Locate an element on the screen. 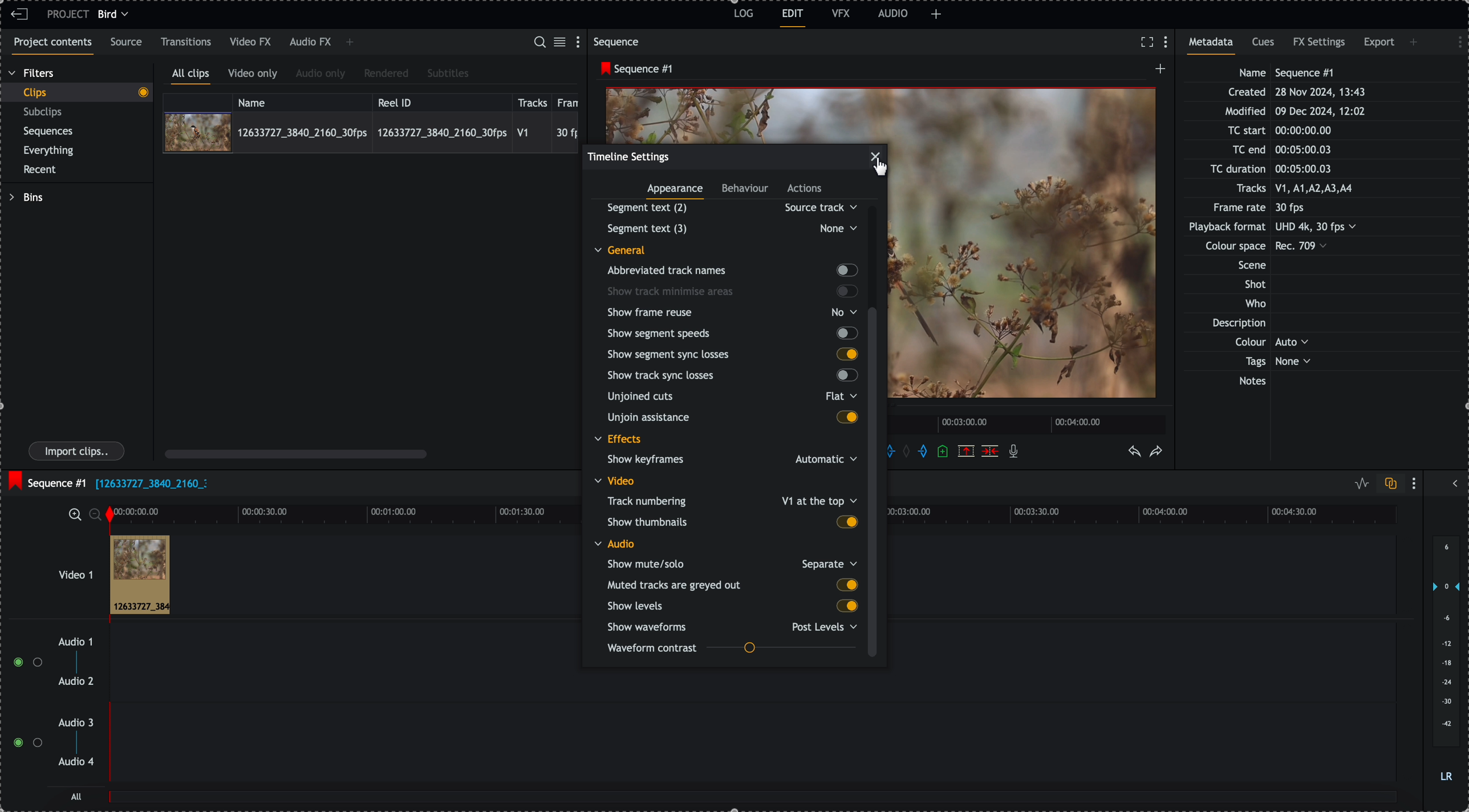 This screenshot has height=812, width=1469. show/hide full audio mix is located at coordinates (1454, 482).